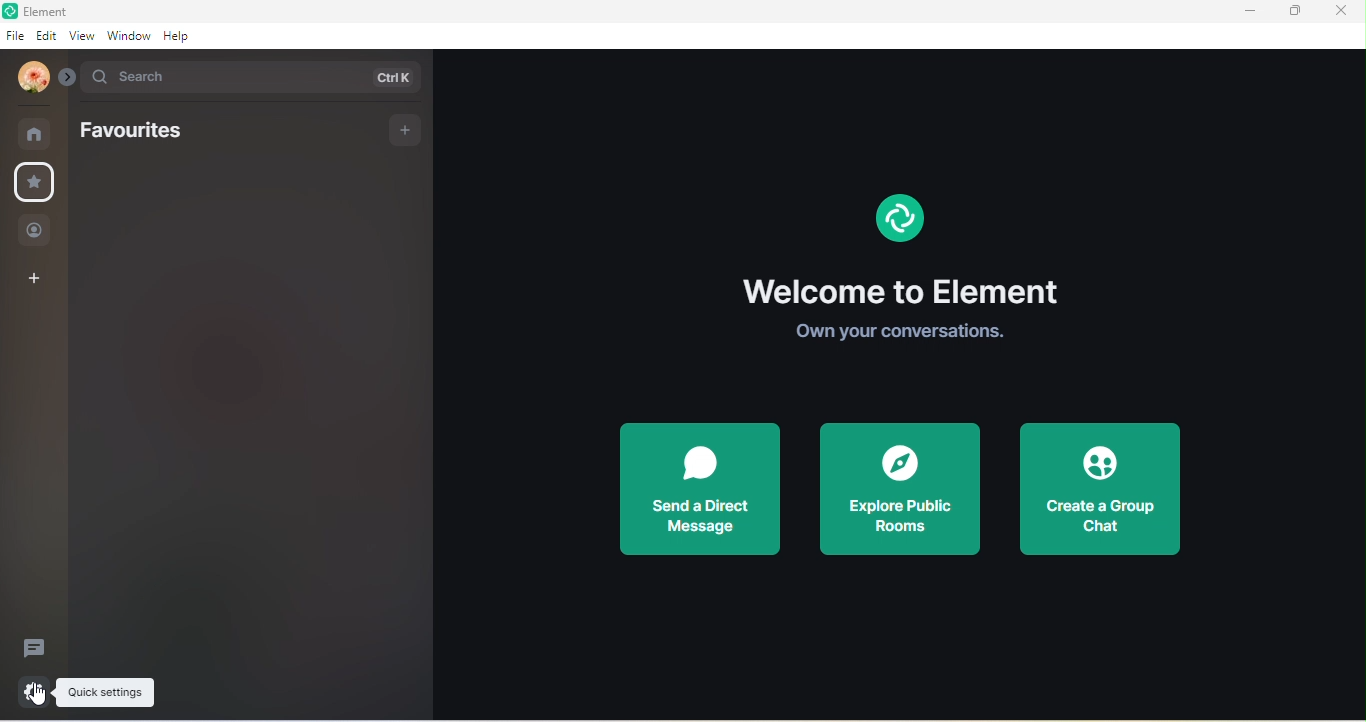 The height and width of the screenshot is (722, 1366). Describe the element at coordinates (83, 35) in the screenshot. I see `view` at that location.